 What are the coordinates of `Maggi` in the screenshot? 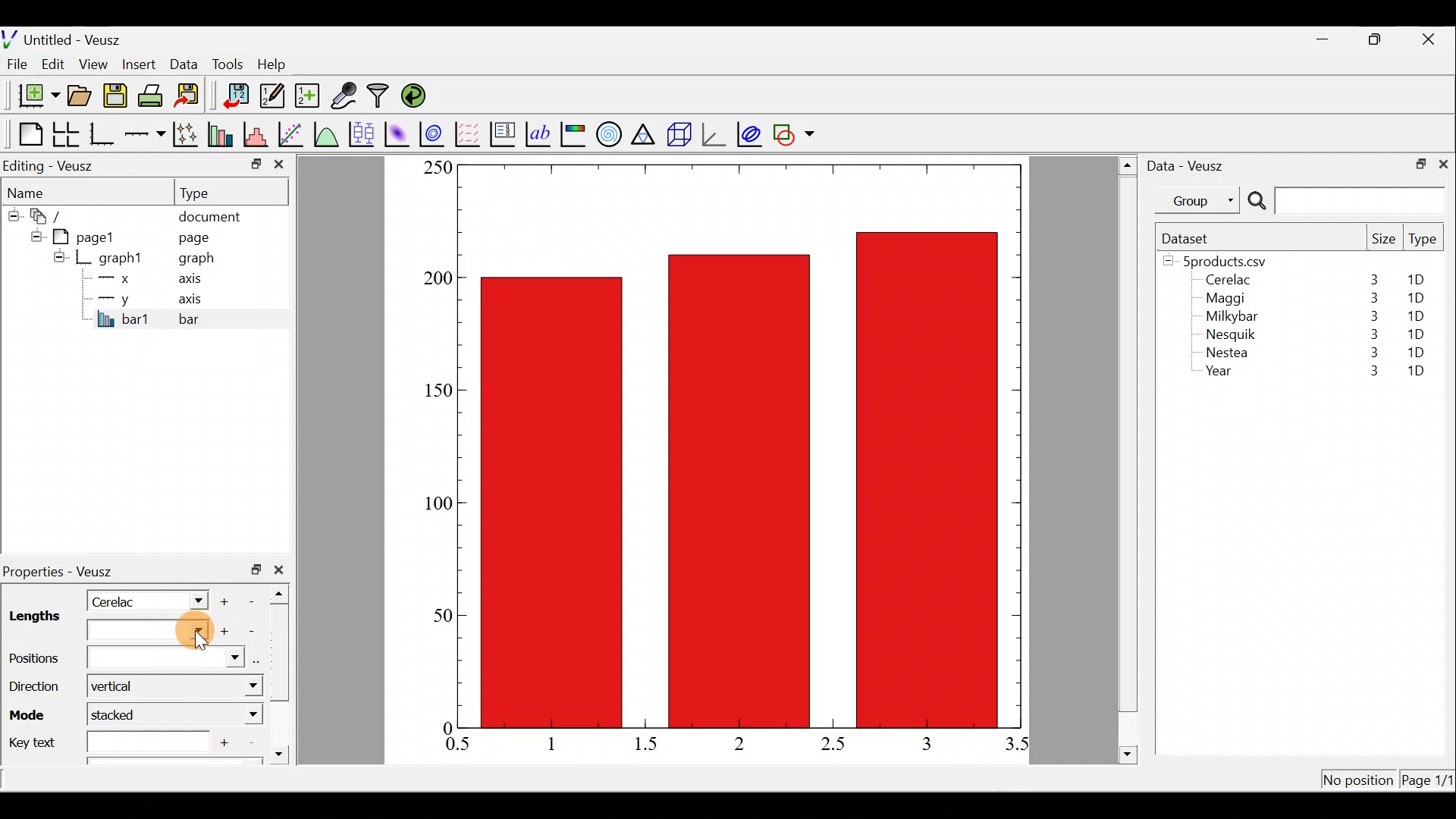 It's located at (1227, 300).